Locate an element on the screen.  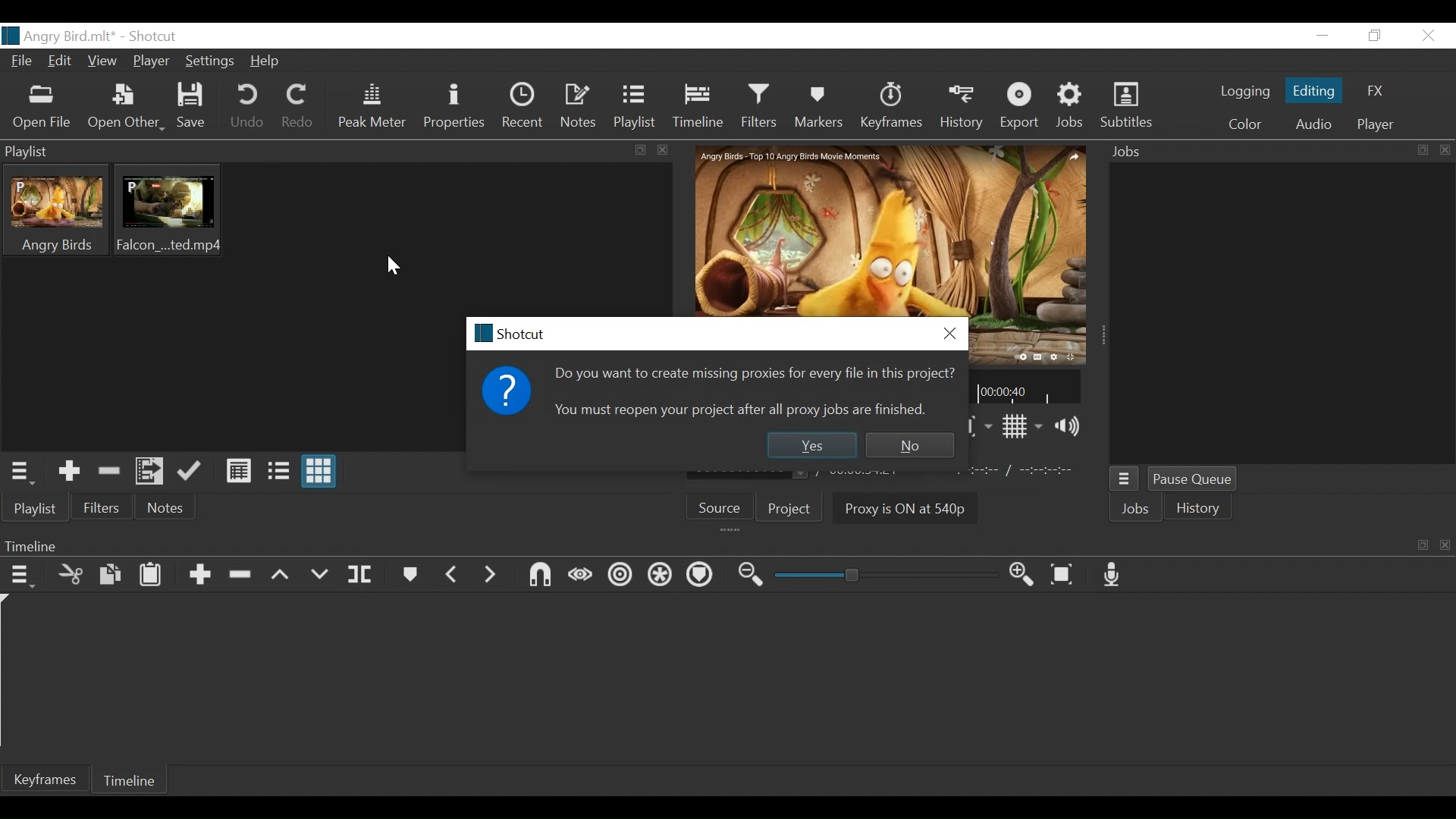
Update is located at coordinates (190, 472).